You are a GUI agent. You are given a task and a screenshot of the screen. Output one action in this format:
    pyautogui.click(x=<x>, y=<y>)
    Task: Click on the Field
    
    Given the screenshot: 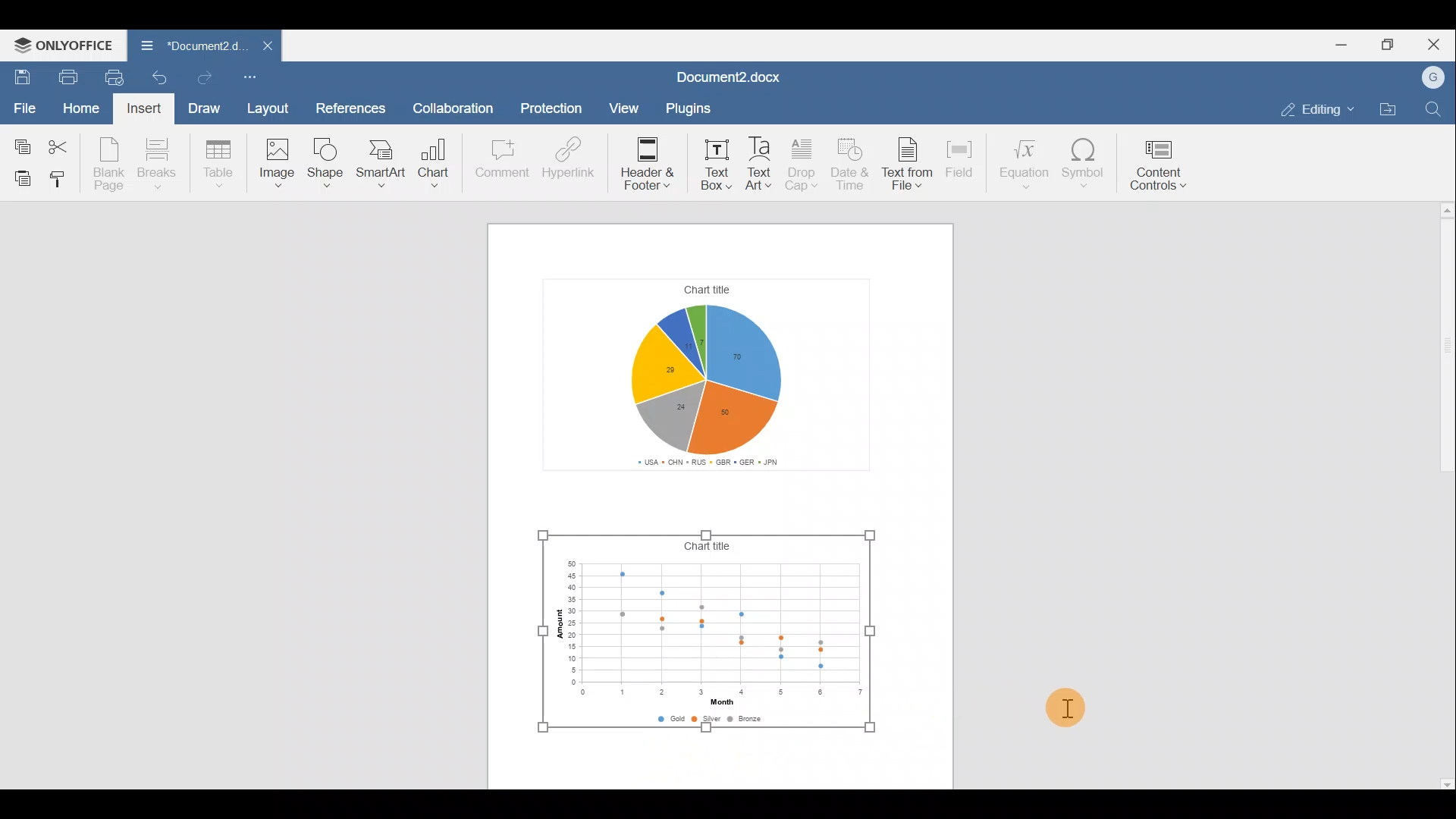 What is the action you would take?
    pyautogui.click(x=962, y=162)
    